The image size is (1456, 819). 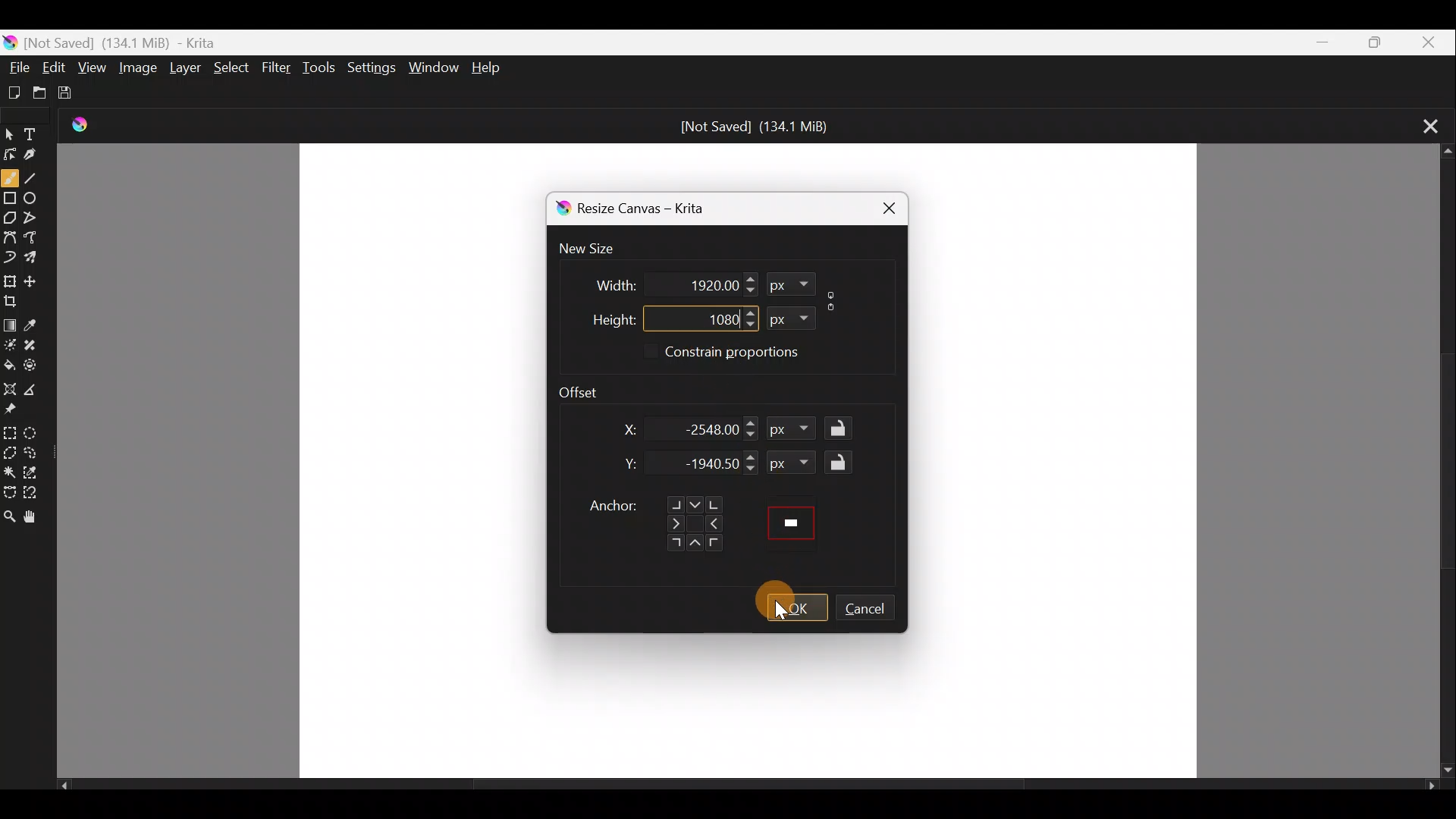 I want to click on Draw a gradient, so click(x=11, y=322).